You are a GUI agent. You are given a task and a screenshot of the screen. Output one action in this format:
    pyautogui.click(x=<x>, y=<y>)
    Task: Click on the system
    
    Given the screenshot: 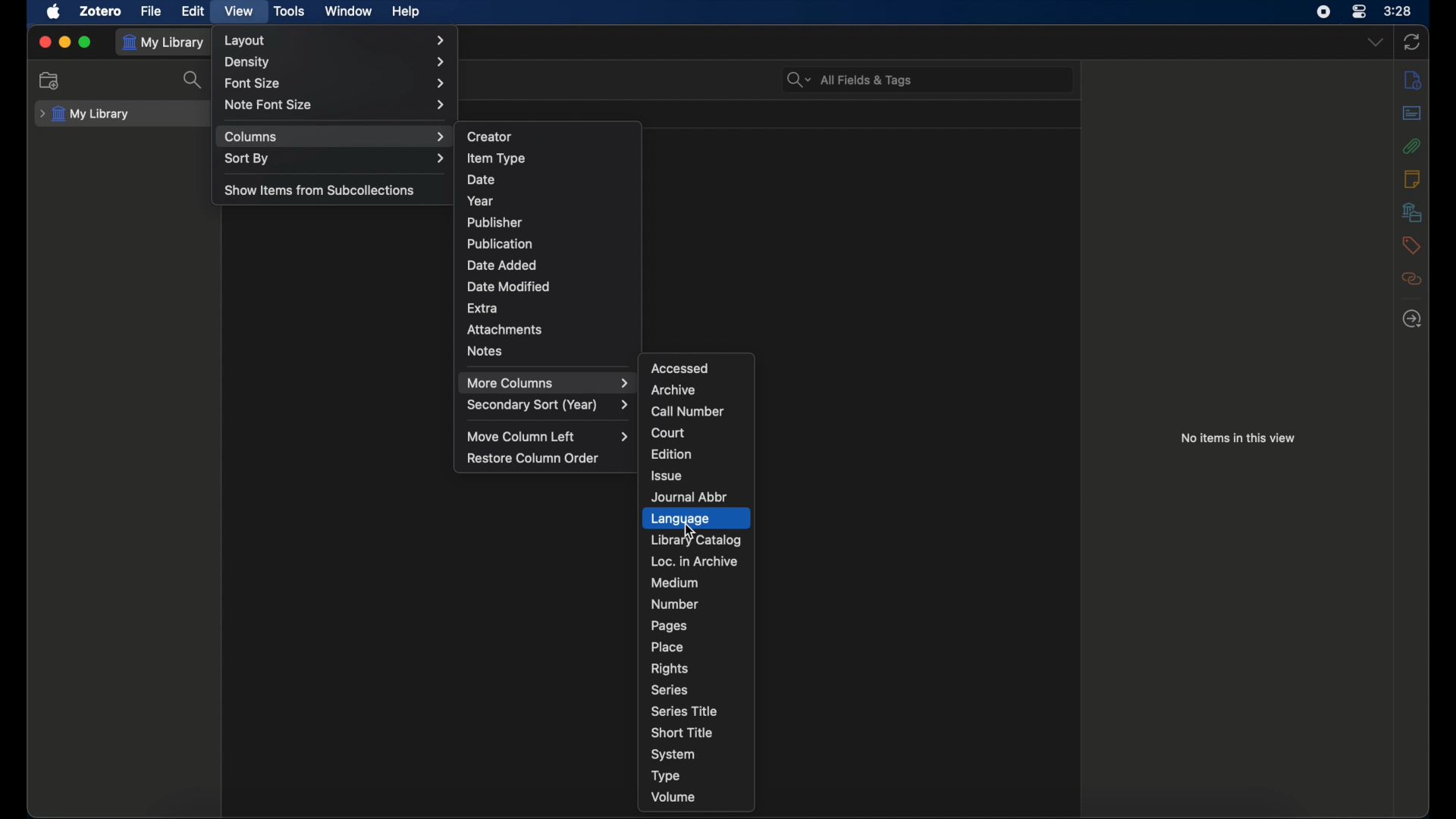 What is the action you would take?
    pyautogui.click(x=674, y=755)
    